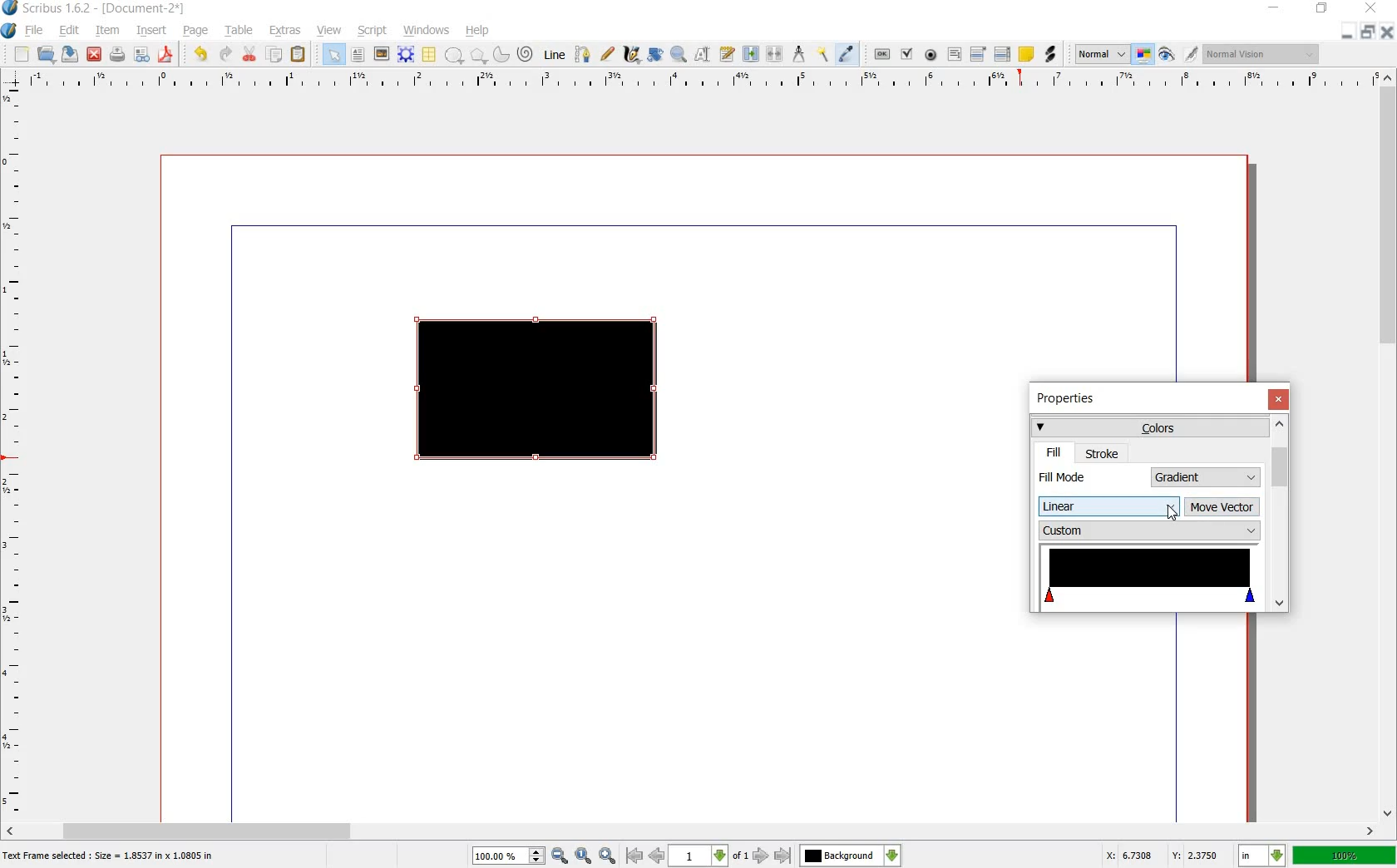 The width and height of the screenshot is (1397, 868). Describe the element at coordinates (1222, 508) in the screenshot. I see `move vector` at that location.